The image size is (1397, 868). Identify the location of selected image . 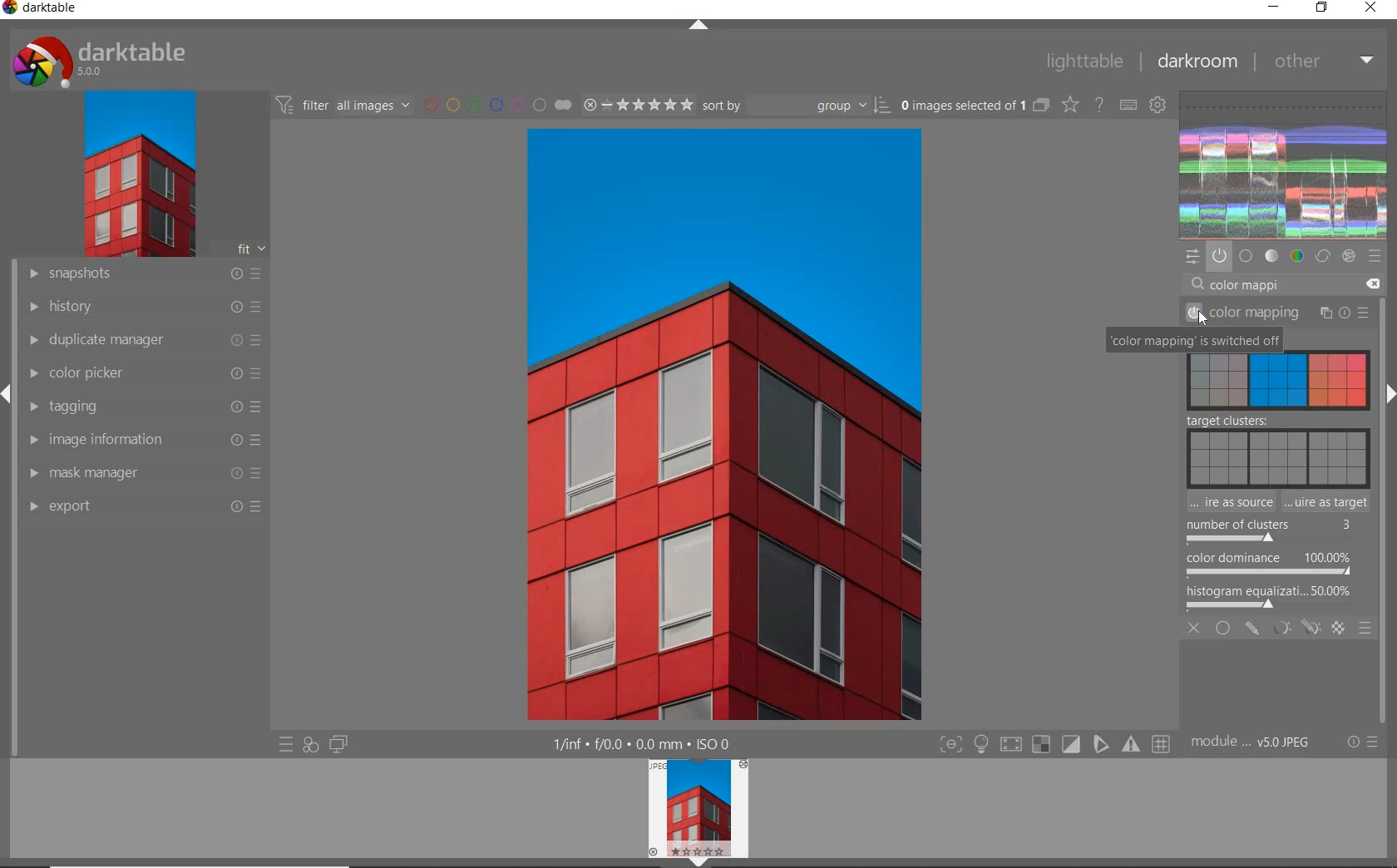
(673, 424).